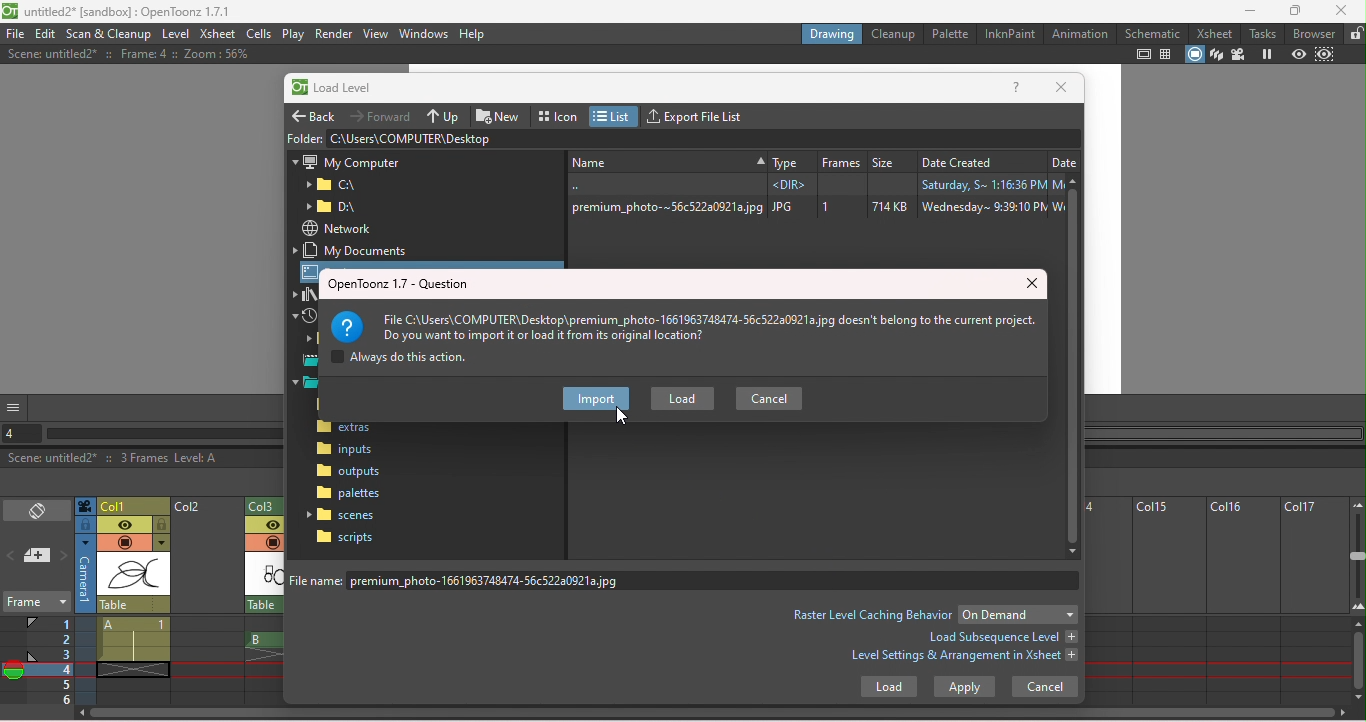  Describe the element at coordinates (316, 113) in the screenshot. I see `Back` at that location.